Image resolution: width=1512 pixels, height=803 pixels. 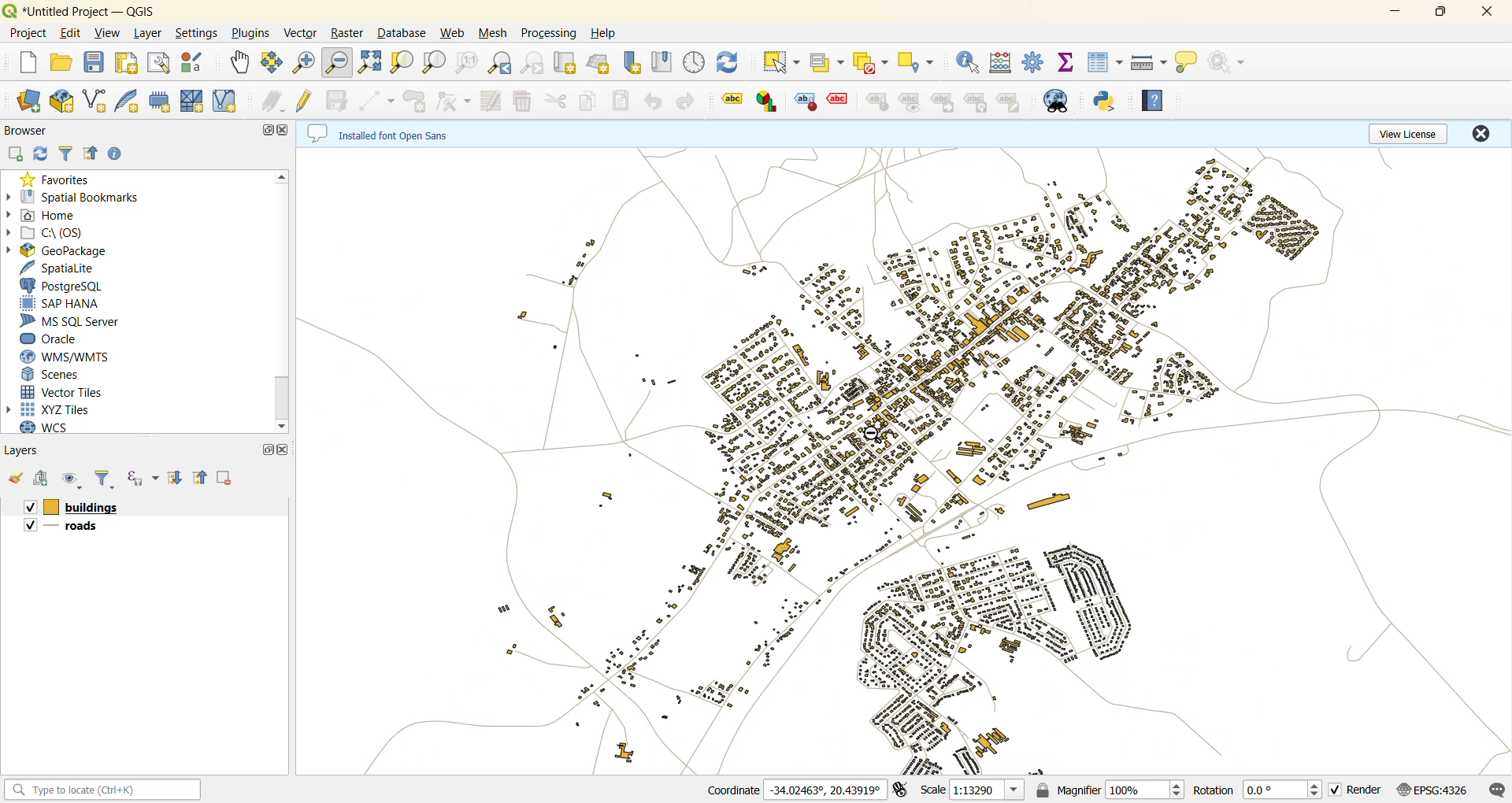 I want to click on digitize, so click(x=379, y=101).